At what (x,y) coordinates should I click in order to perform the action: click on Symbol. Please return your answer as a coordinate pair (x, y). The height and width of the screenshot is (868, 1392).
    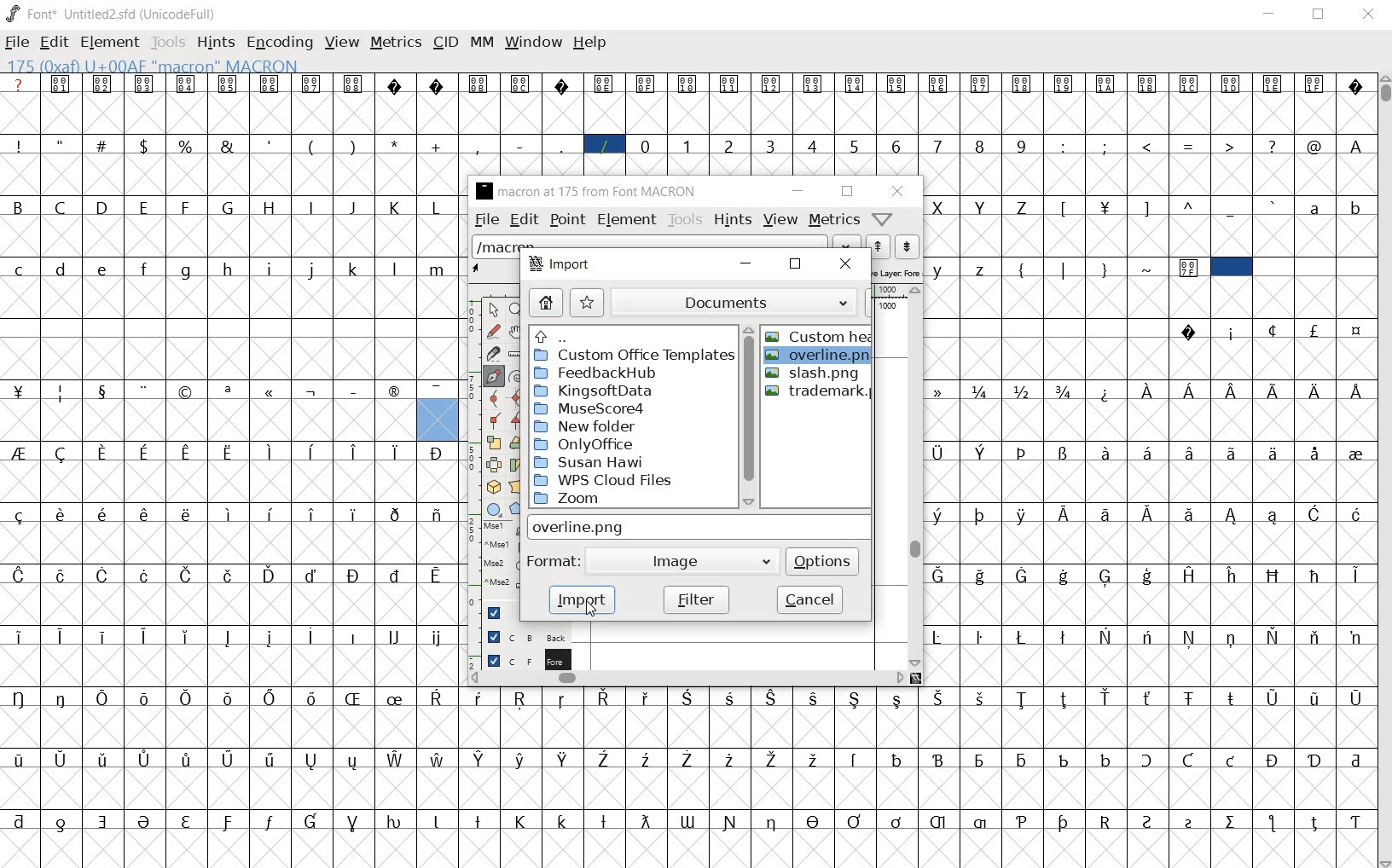
    Looking at the image, I should click on (604, 84).